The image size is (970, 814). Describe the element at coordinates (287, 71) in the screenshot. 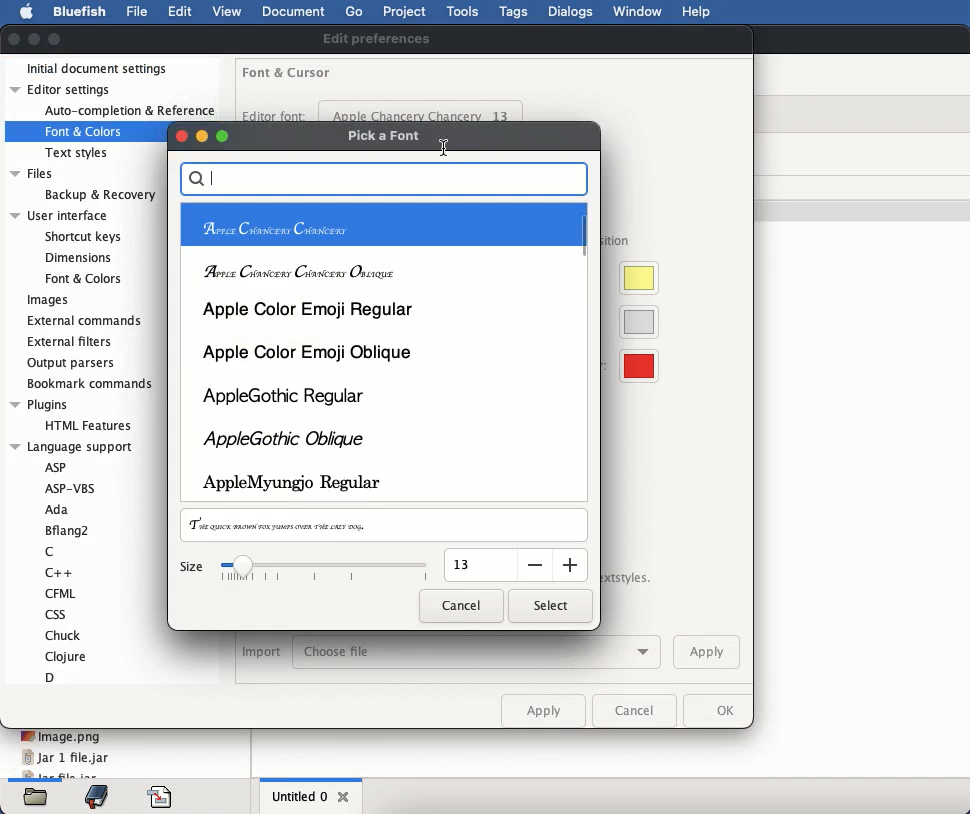

I see `font and cursor` at that location.